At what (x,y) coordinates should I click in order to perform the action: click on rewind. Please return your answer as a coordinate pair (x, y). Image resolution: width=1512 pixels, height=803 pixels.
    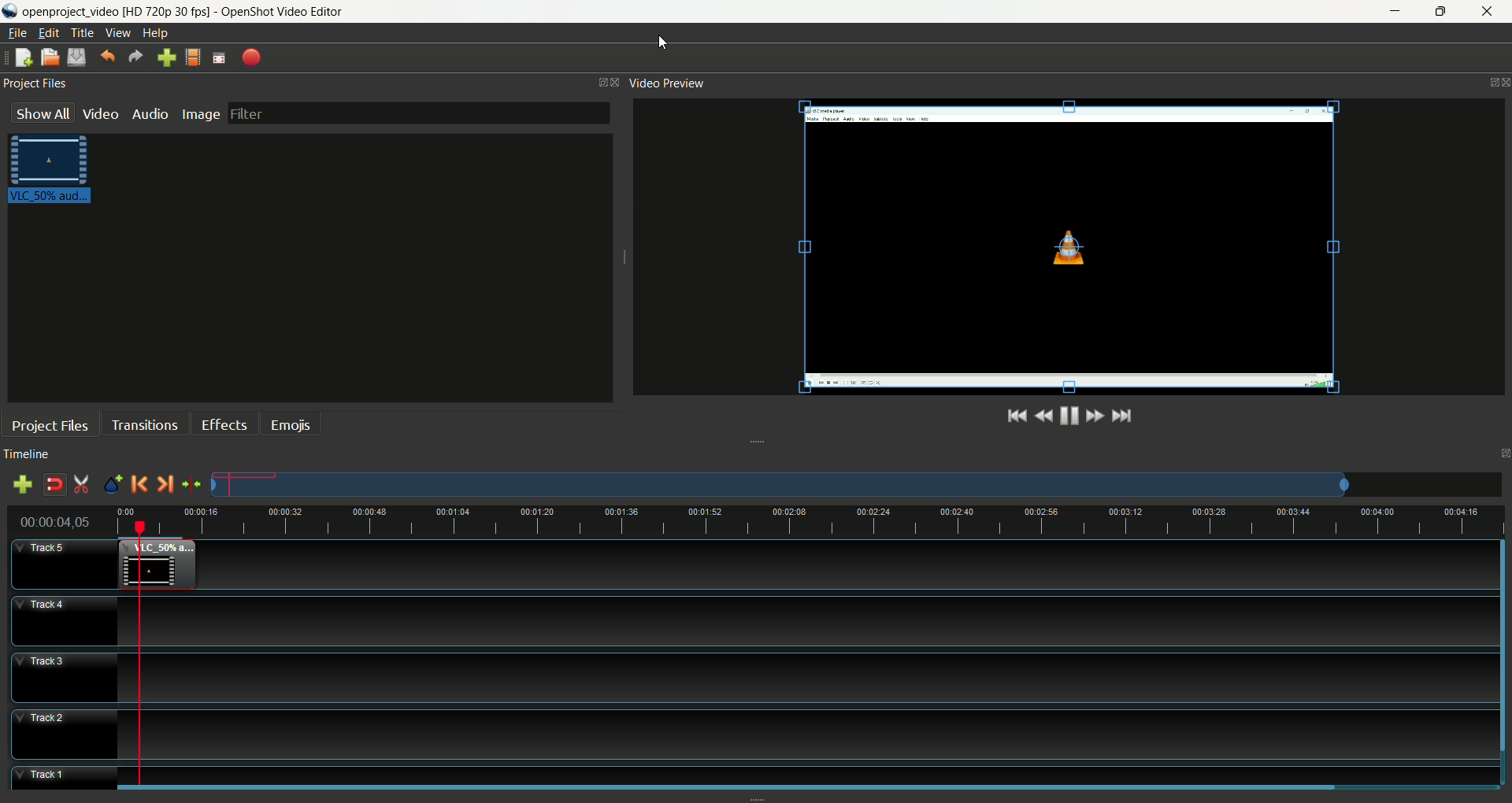
    Looking at the image, I should click on (1043, 417).